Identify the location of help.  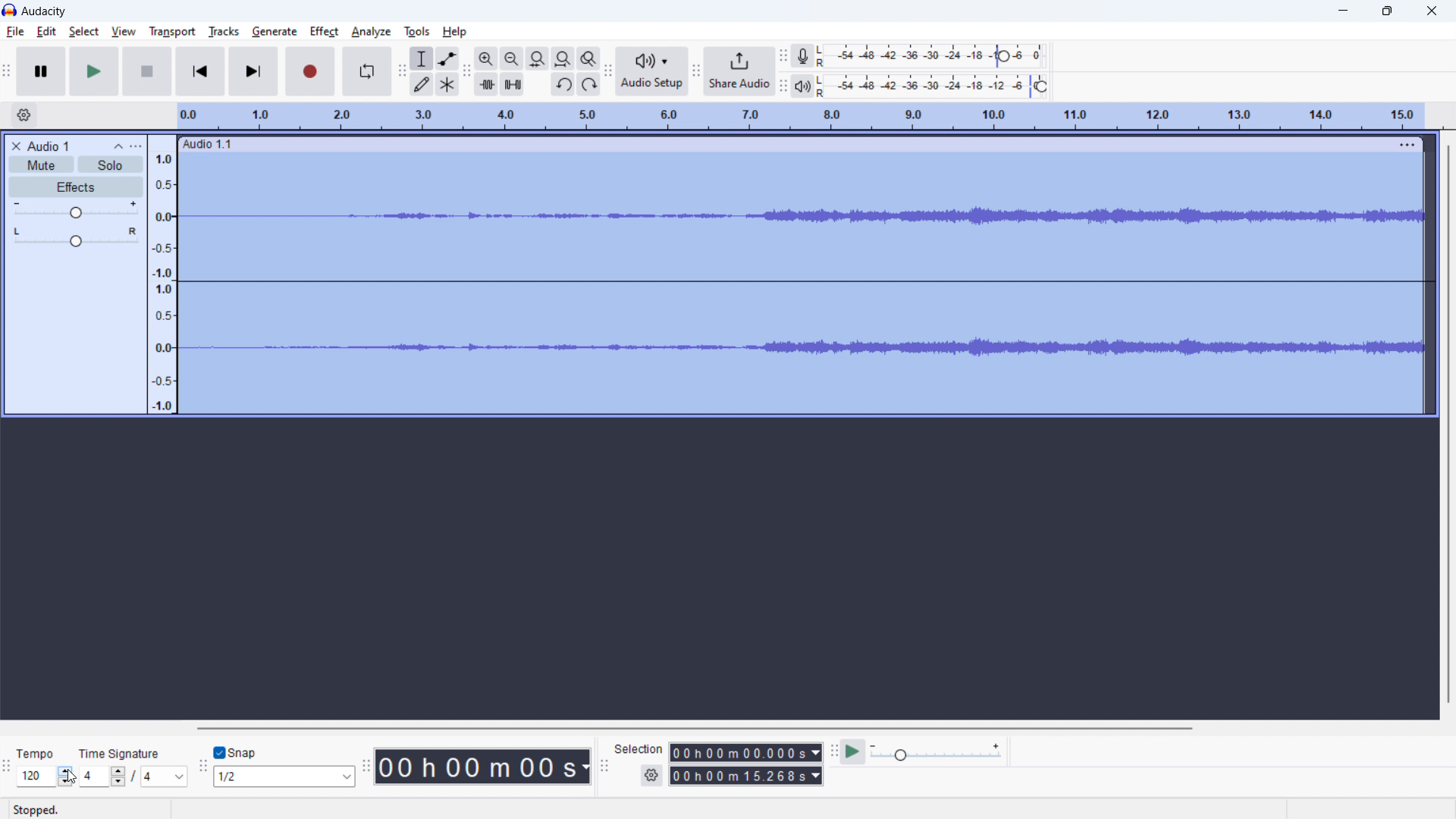
(456, 32).